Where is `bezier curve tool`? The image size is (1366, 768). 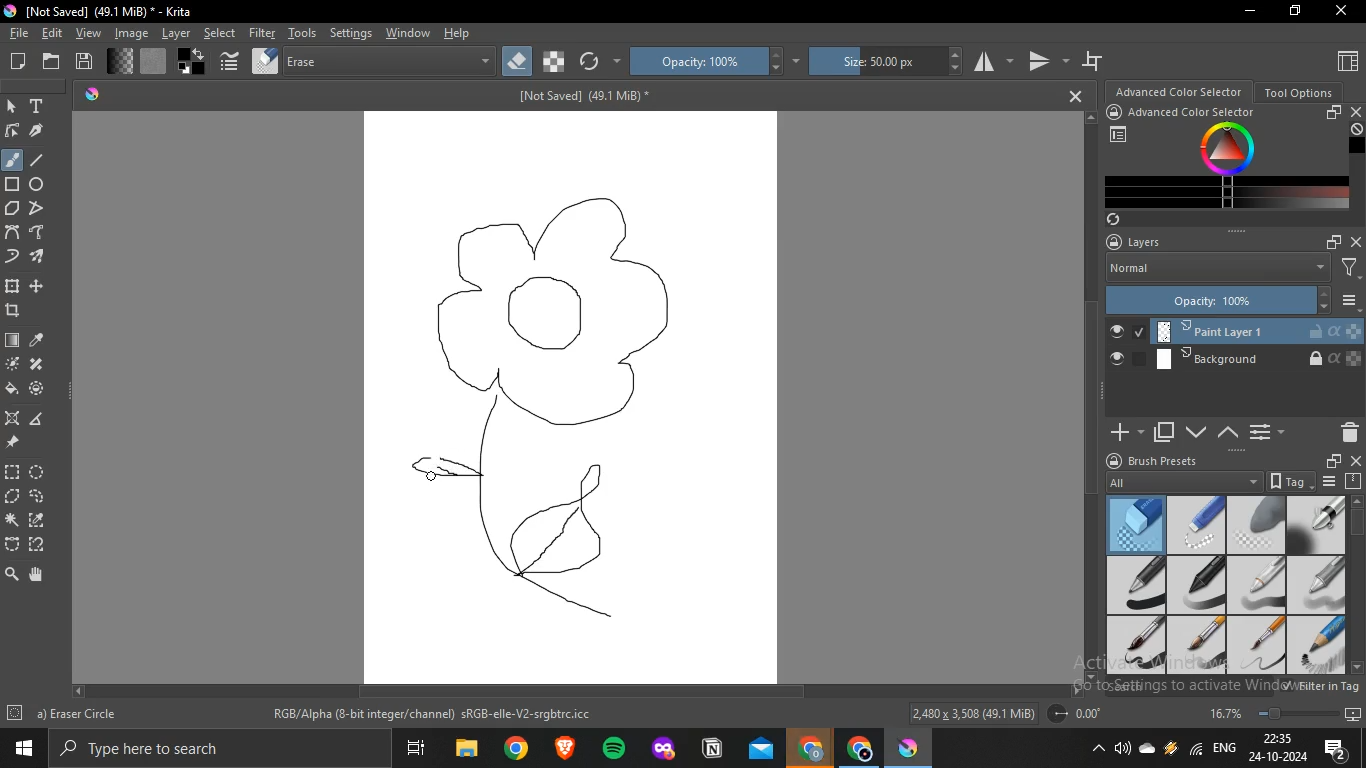 bezier curve tool is located at coordinates (13, 231).